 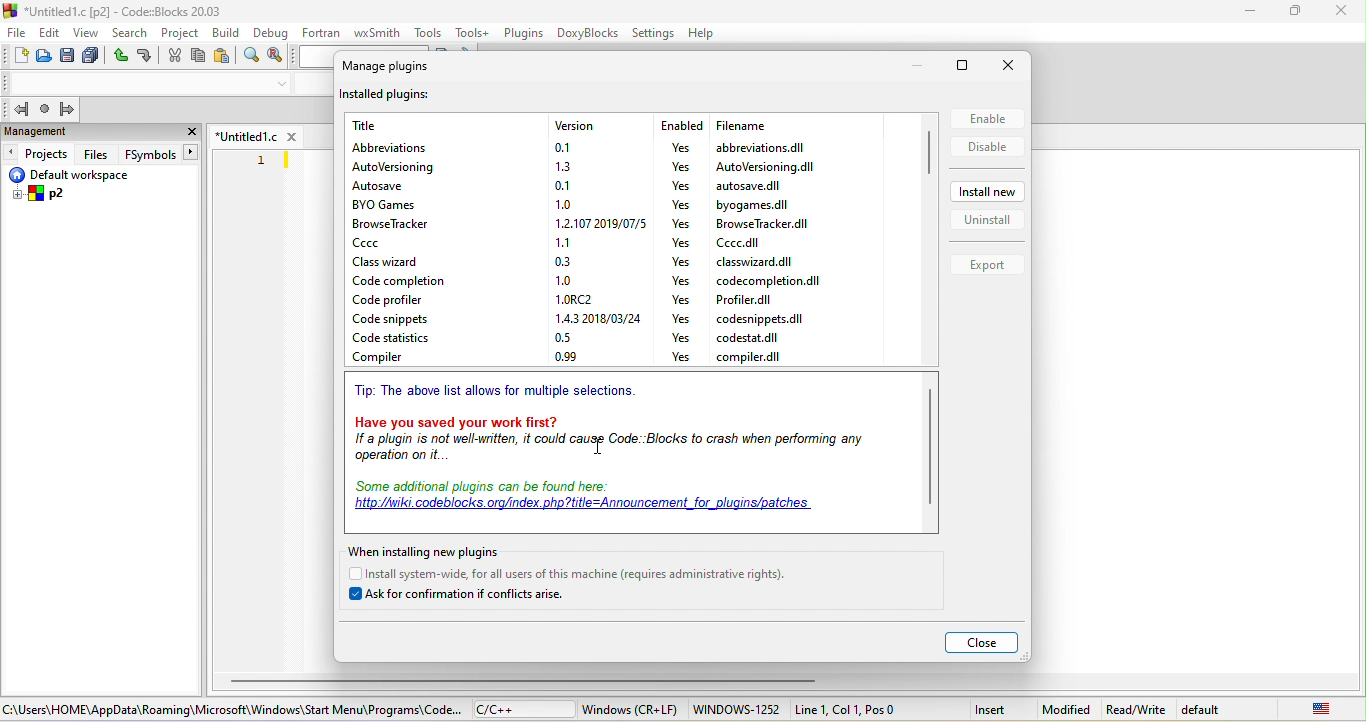 I want to click on disable, so click(x=987, y=149).